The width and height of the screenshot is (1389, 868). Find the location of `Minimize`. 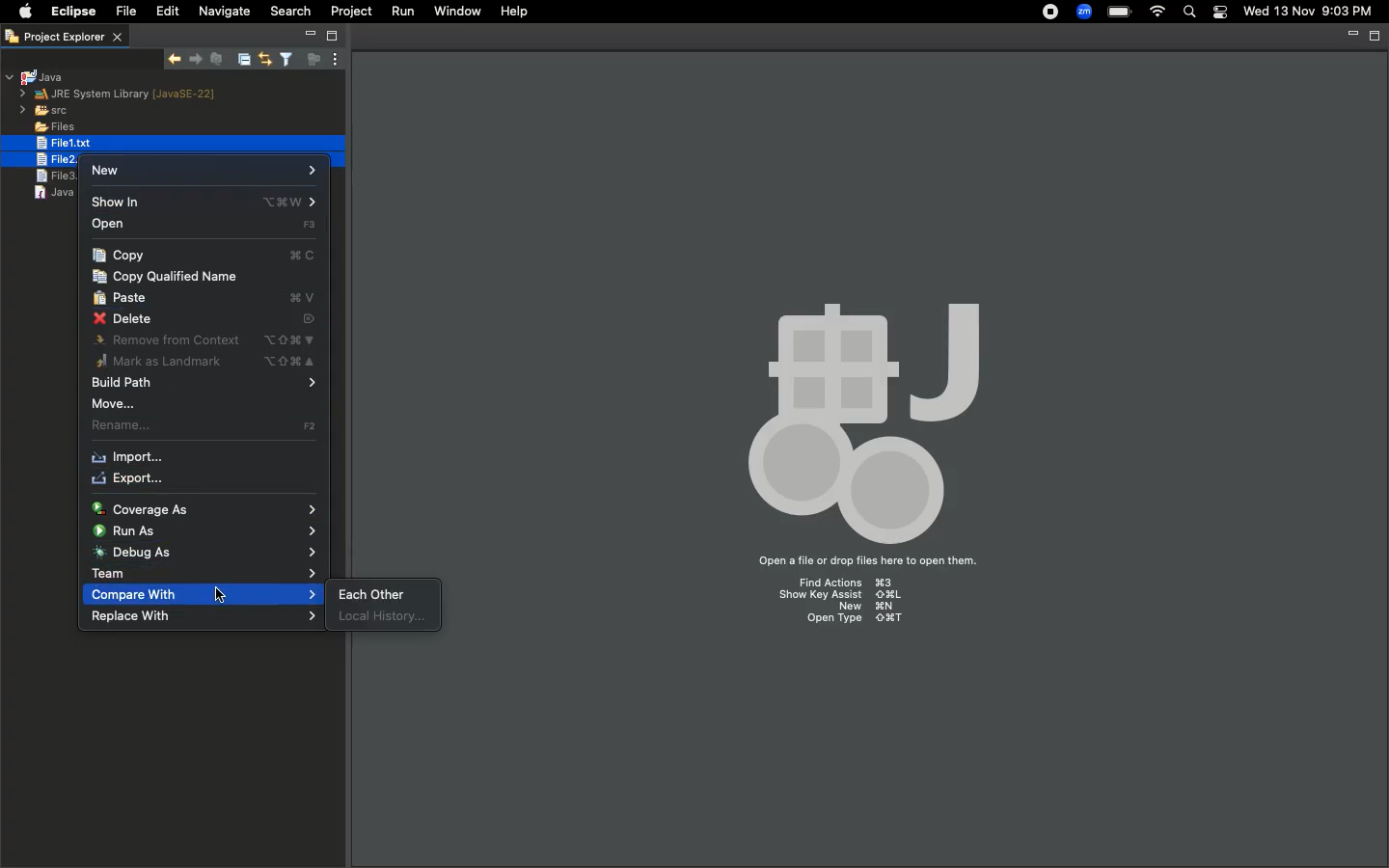

Minimize is located at coordinates (1348, 36).